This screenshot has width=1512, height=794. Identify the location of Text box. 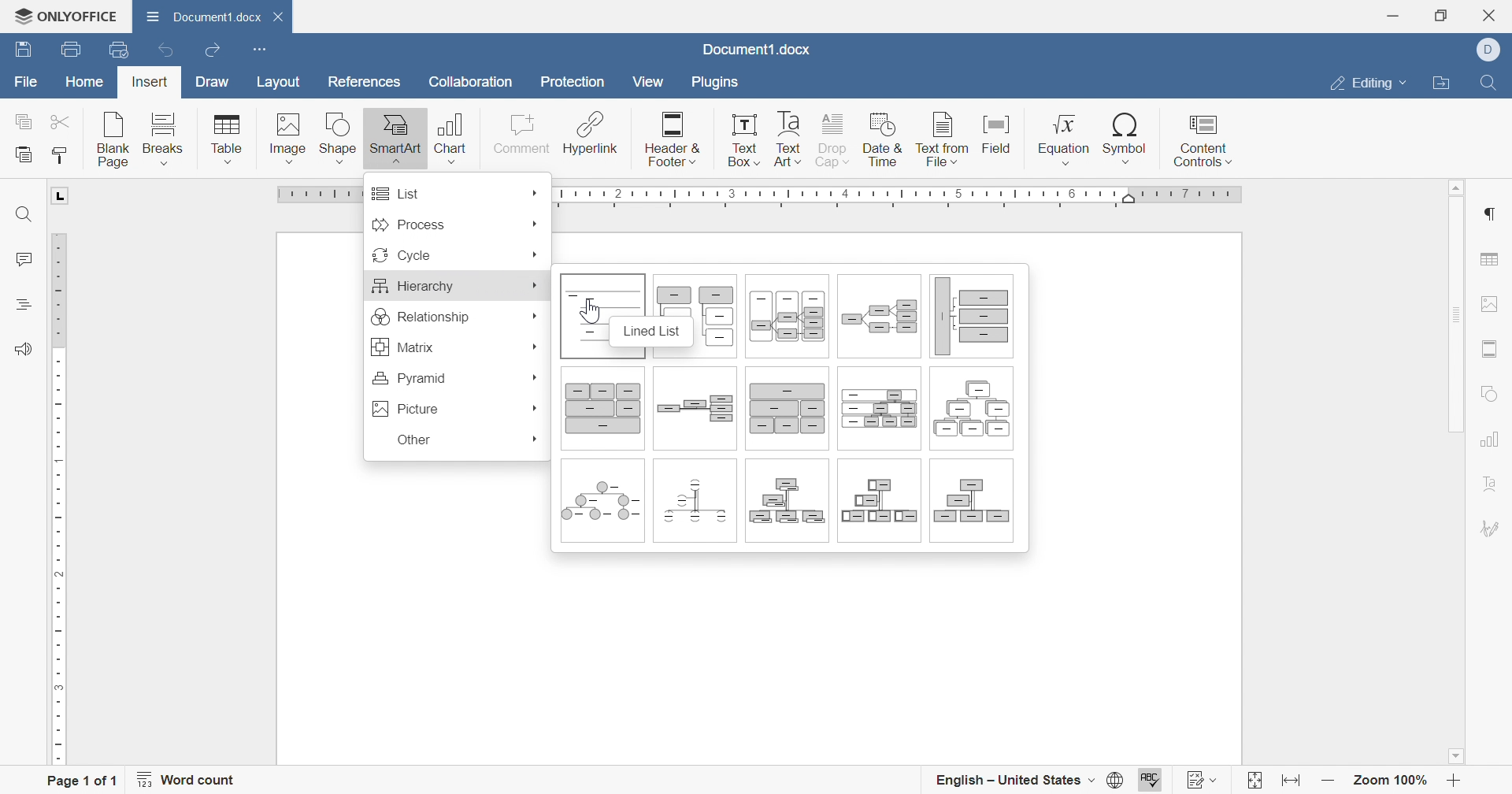
(747, 143).